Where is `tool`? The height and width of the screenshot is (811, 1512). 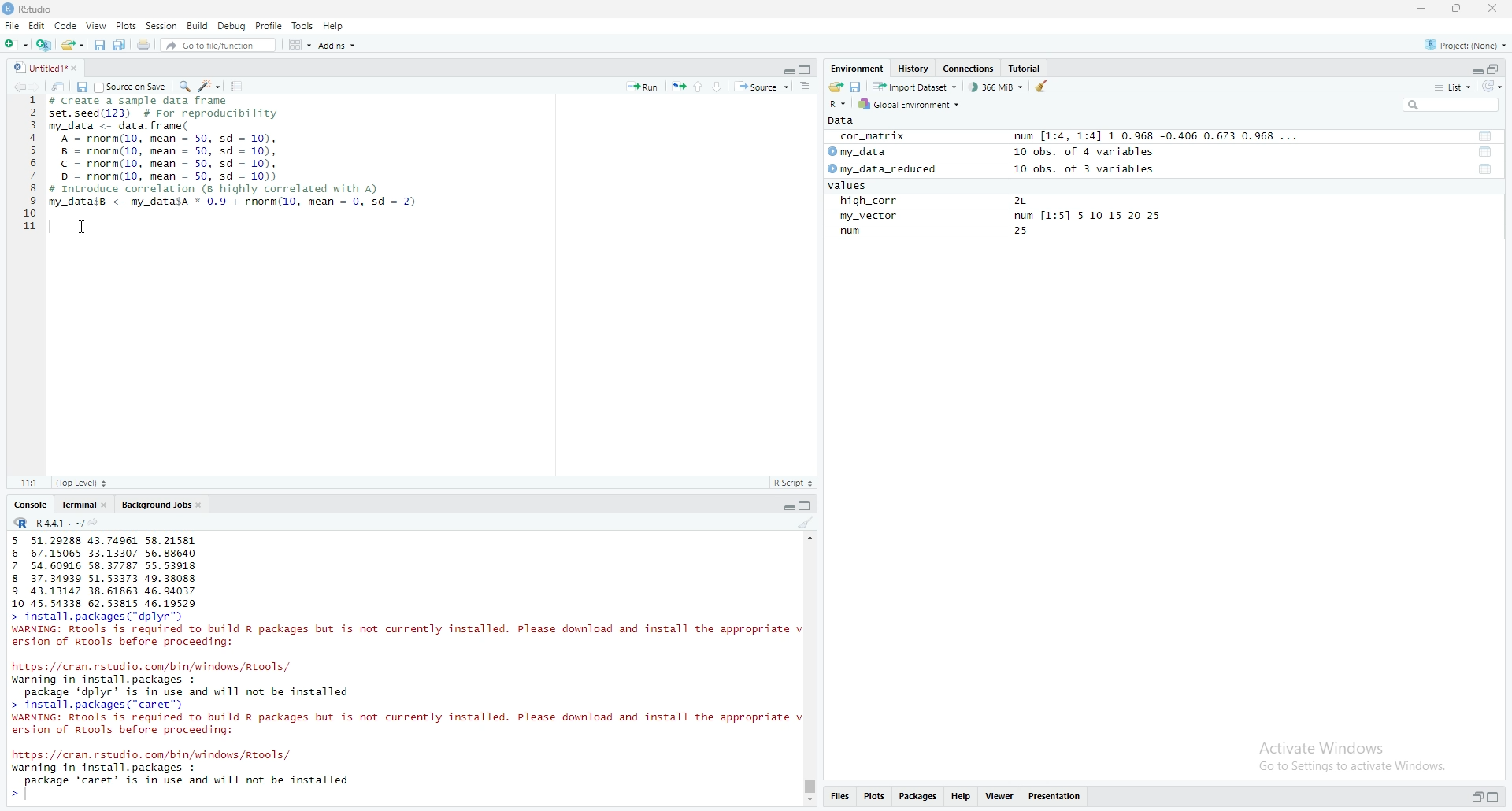 tool is located at coordinates (1488, 169).